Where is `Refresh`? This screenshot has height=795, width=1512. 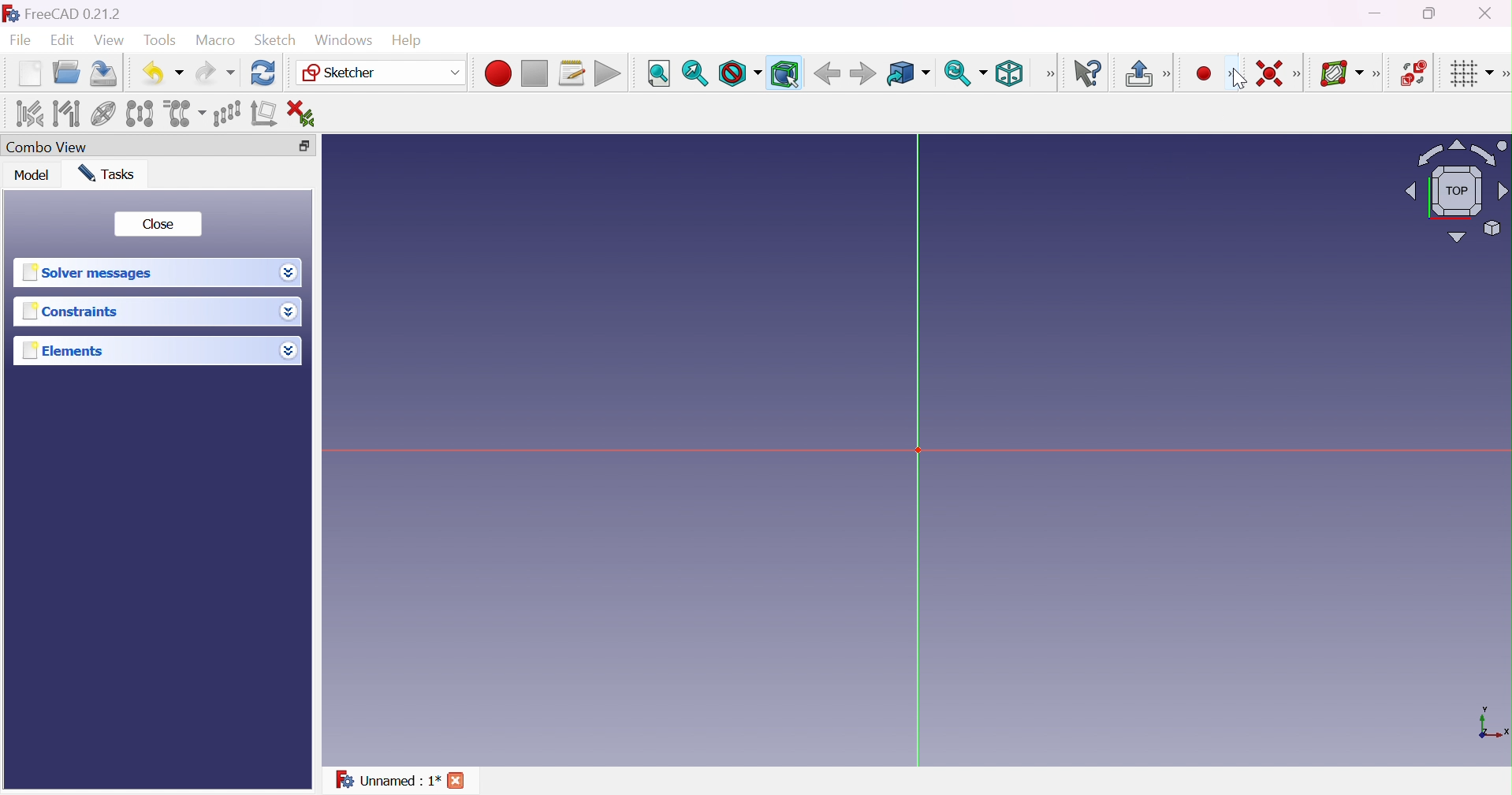 Refresh is located at coordinates (264, 73).